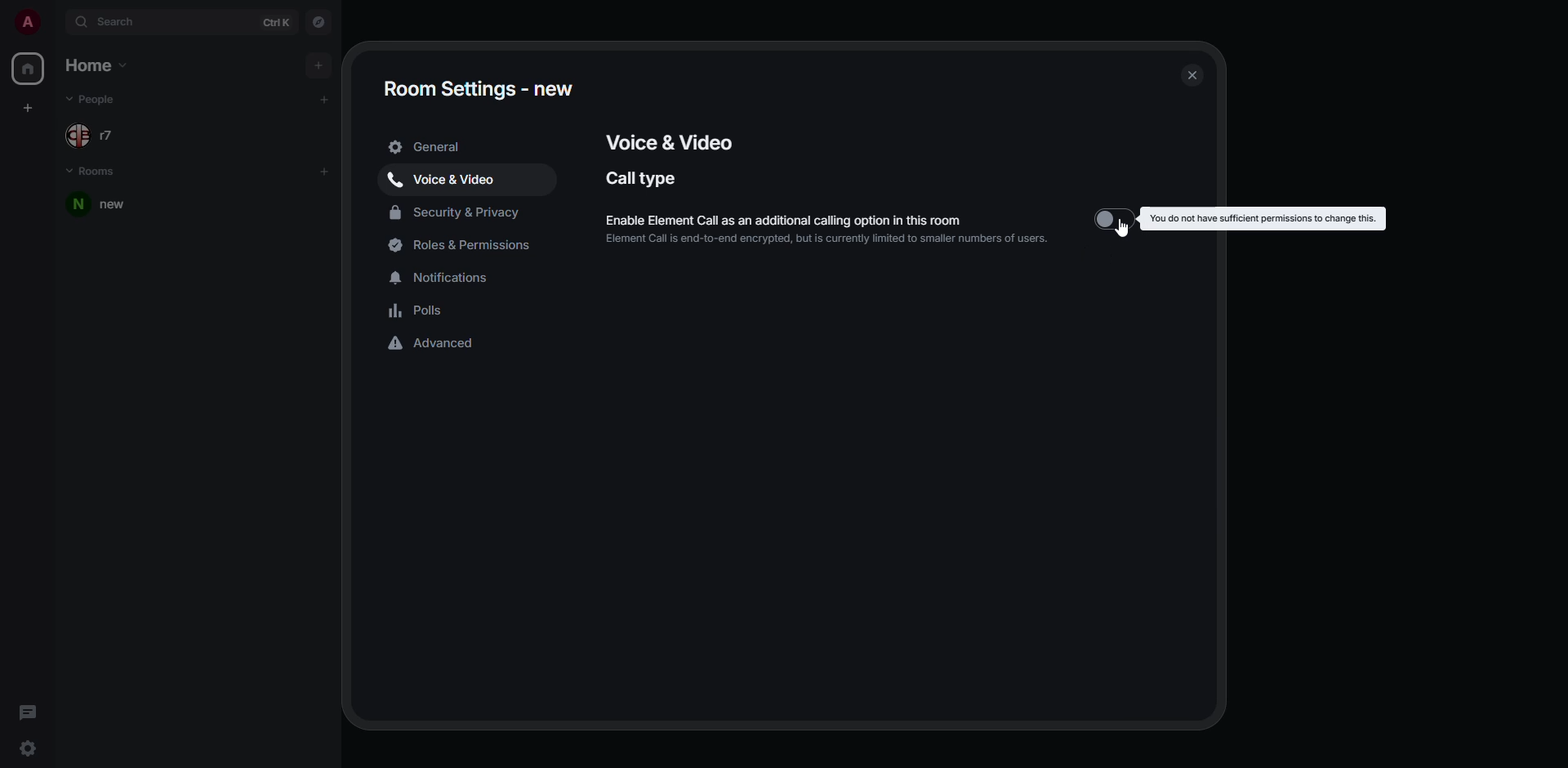 The height and width of the screenshot is (768, 1568). What do you see at coordinates (27, 710) in the screenshot?
I see `threads` at bounding box center [27, 710].